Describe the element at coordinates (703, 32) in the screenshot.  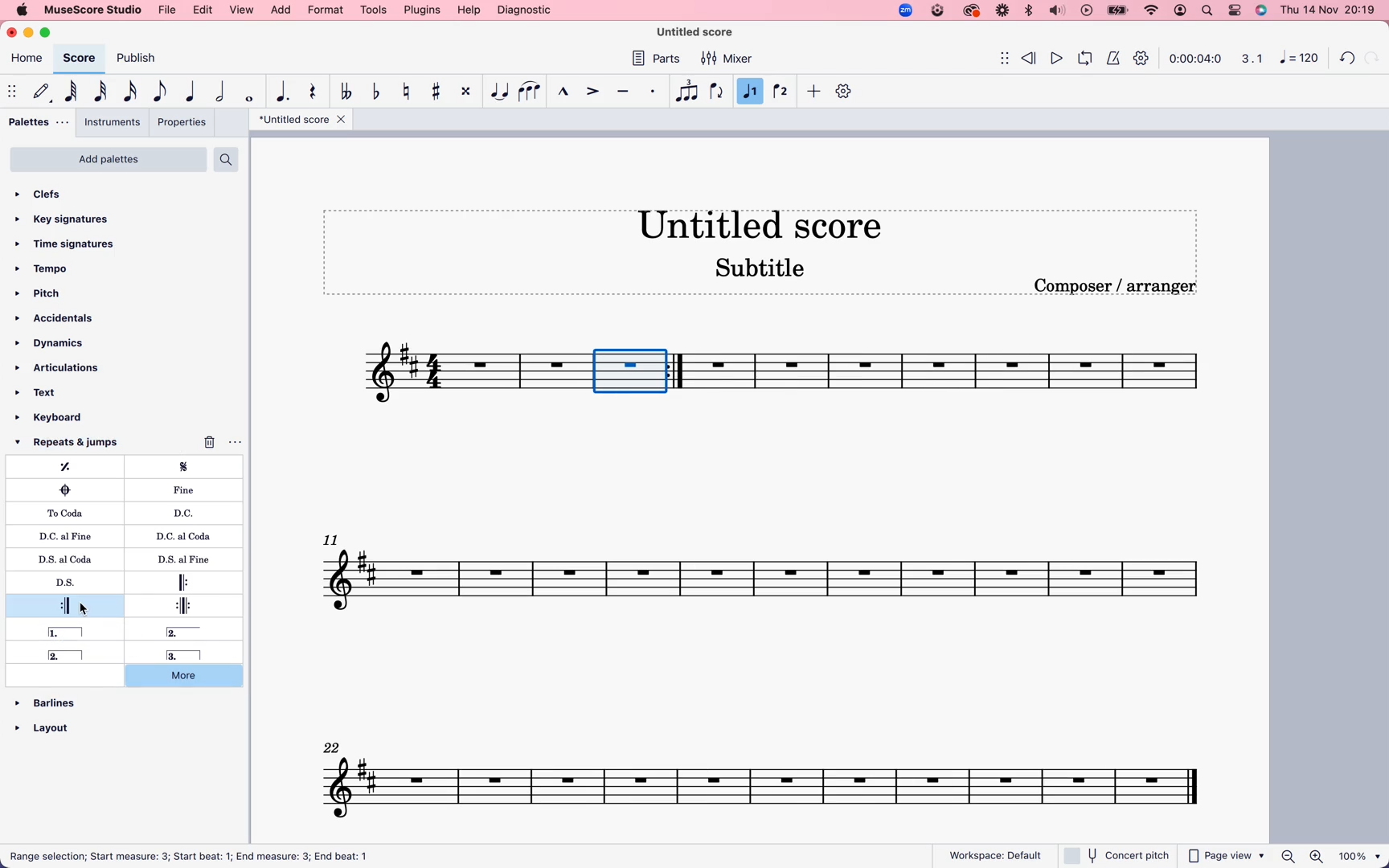
I see `score name` at that location.